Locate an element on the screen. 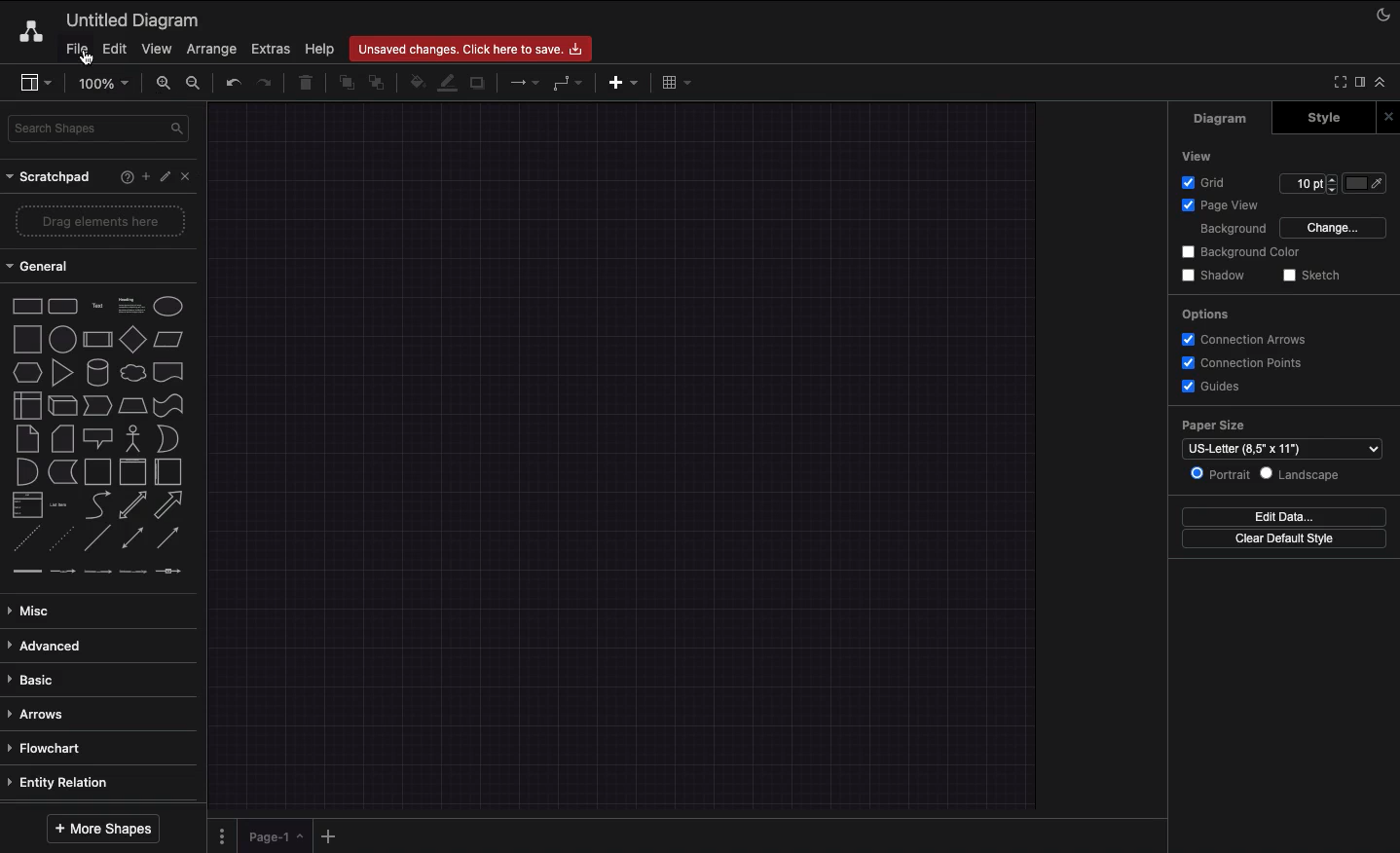  Directional connector is located at coordinates (171, 538).